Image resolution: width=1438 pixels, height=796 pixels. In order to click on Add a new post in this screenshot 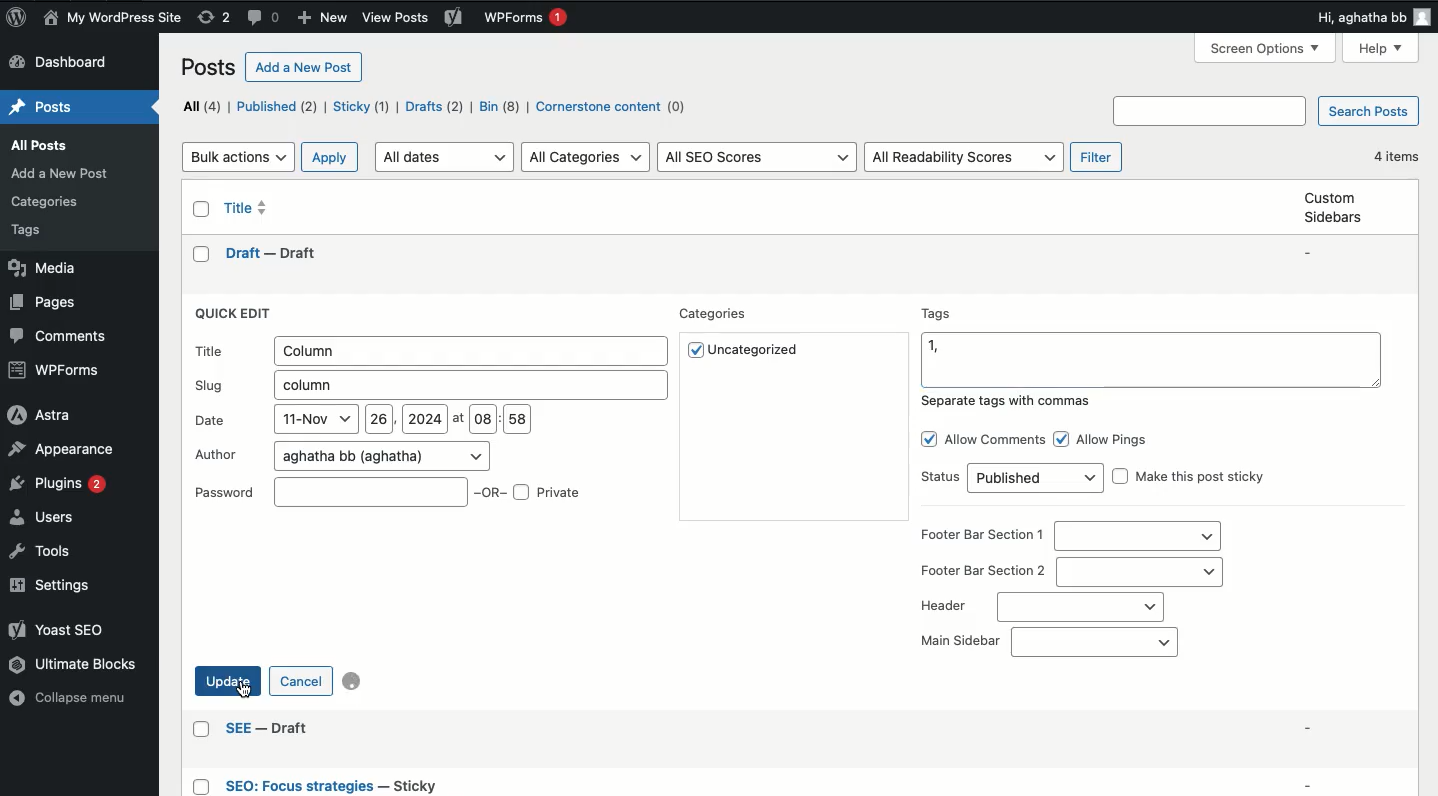, I will do `click(304, 67)`.